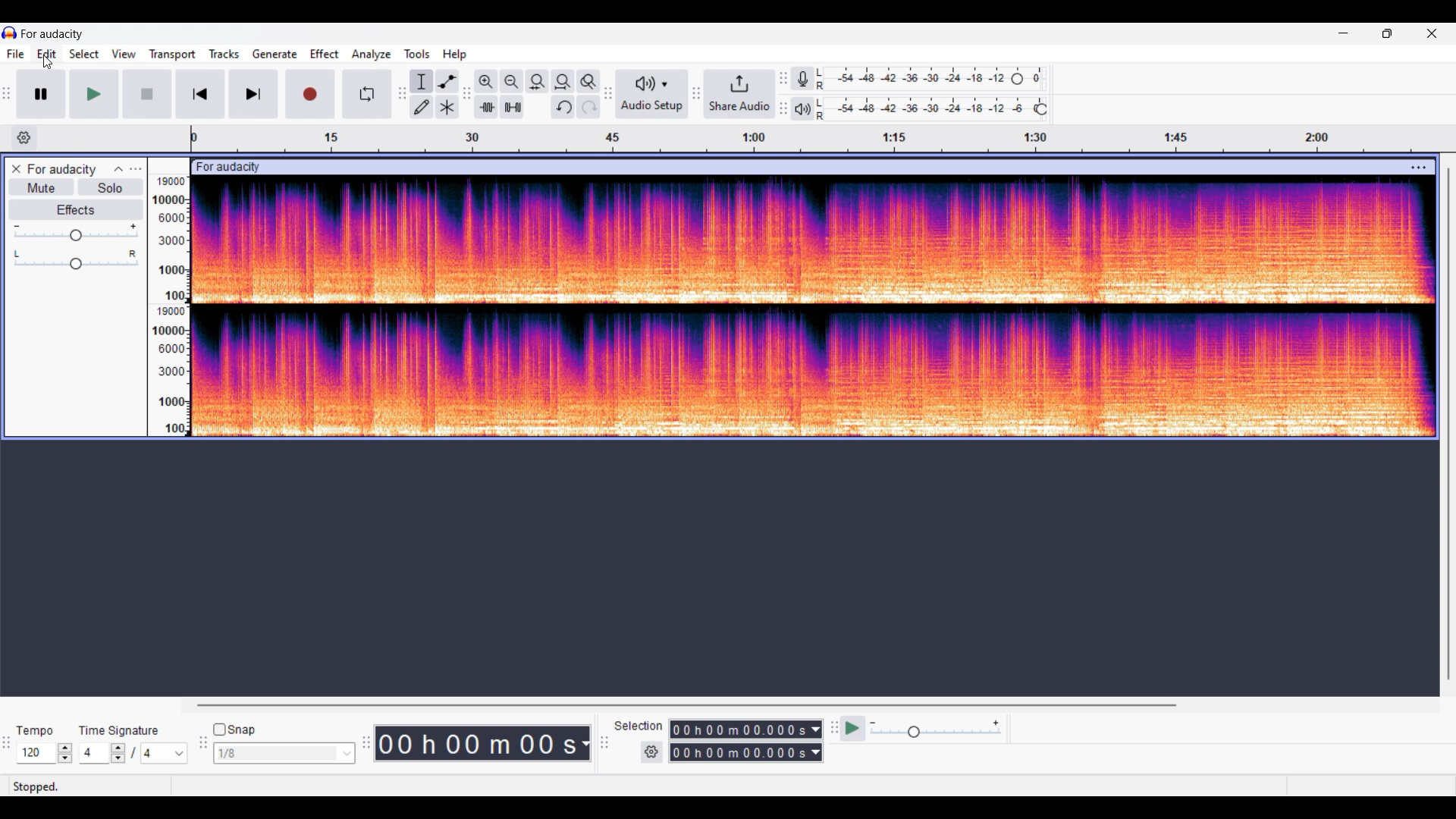 The width and height of the screenshot is (1456, 819). Describe the element at coordinates (168, 306) in the screenshot. I see `Scale to measure intensity of track` at that location.